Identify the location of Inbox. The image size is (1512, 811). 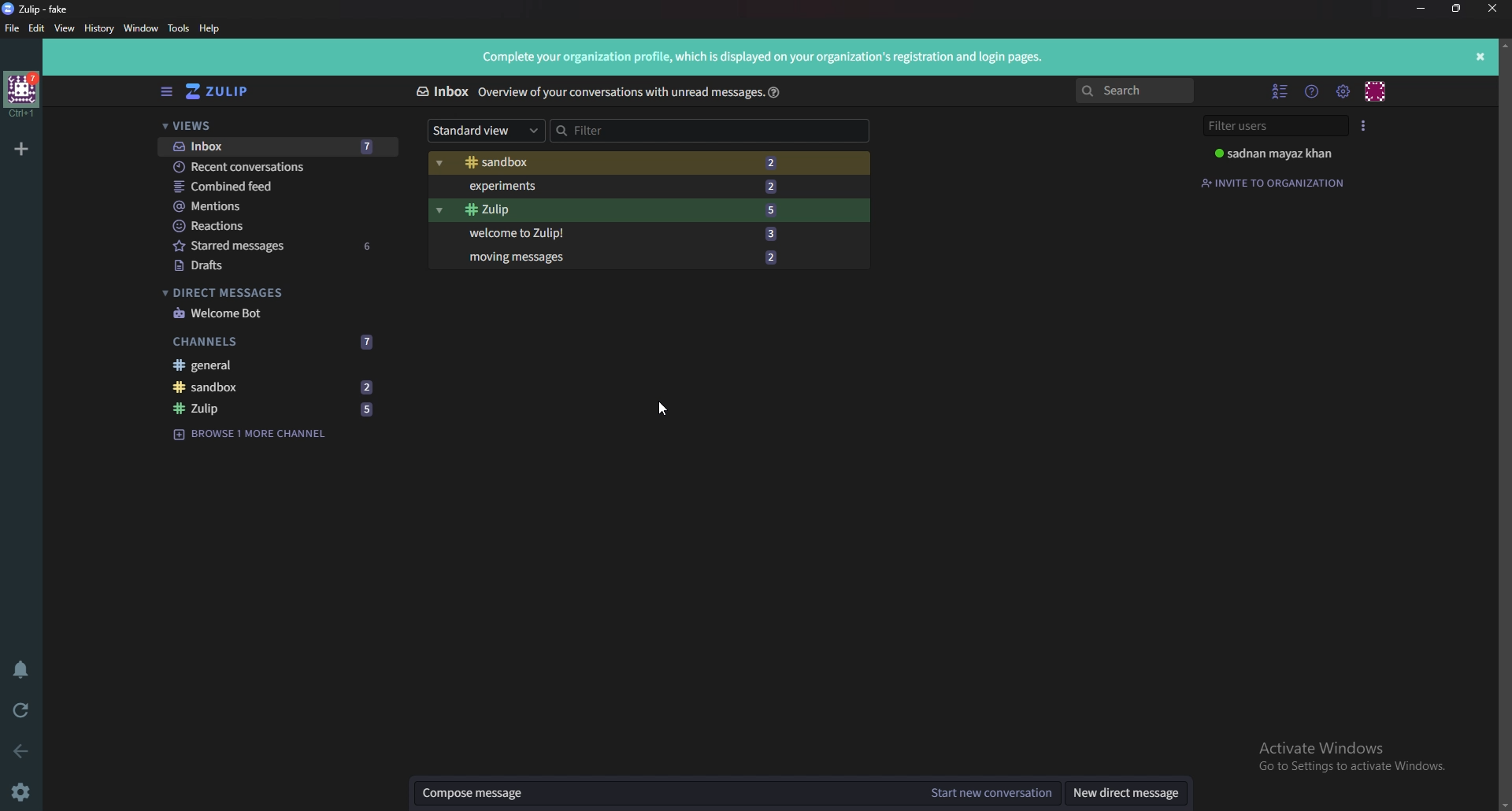
(443, 91).